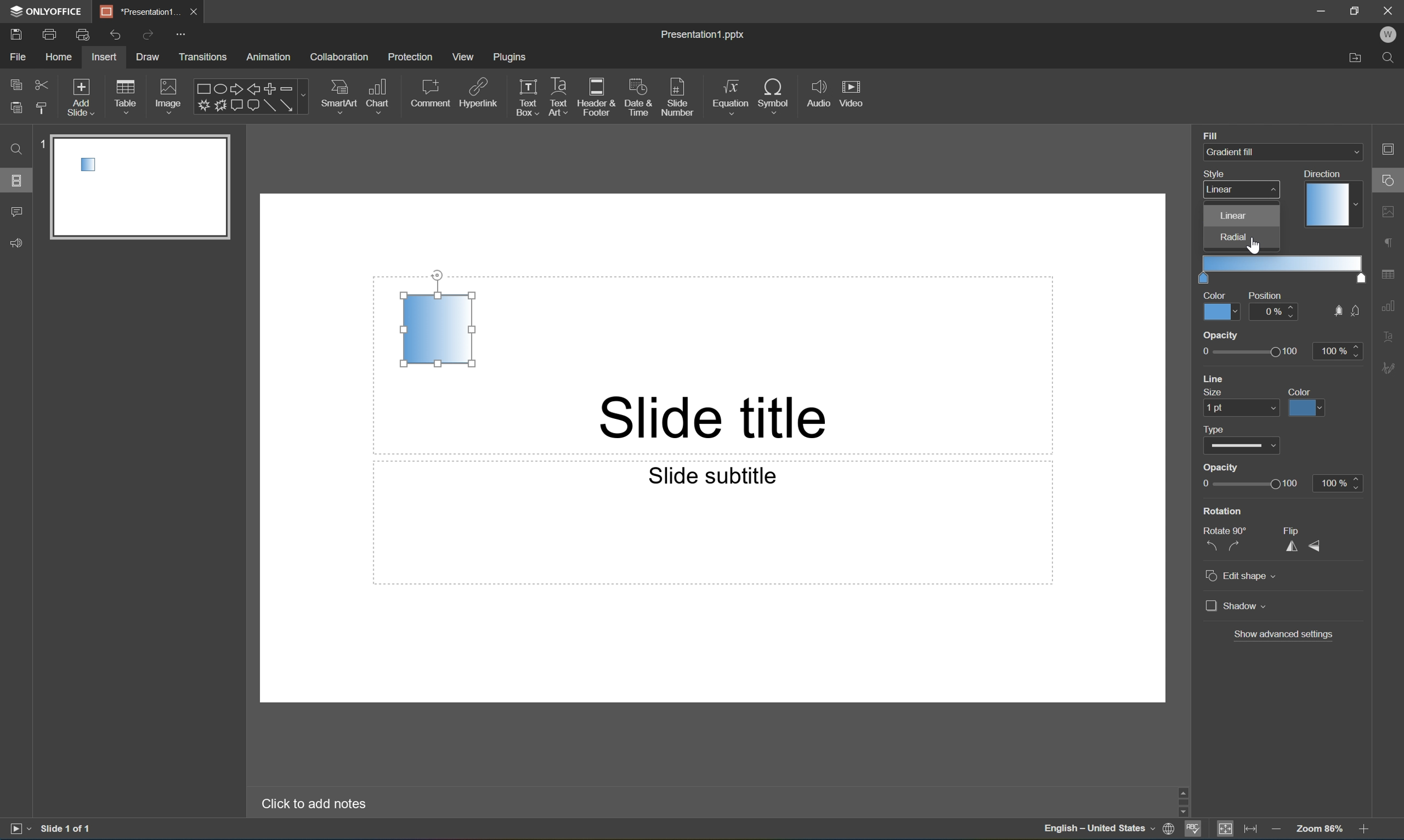 The width and height of the screenshot is (1404, 840). I want to click on 1, so click(43, 144).